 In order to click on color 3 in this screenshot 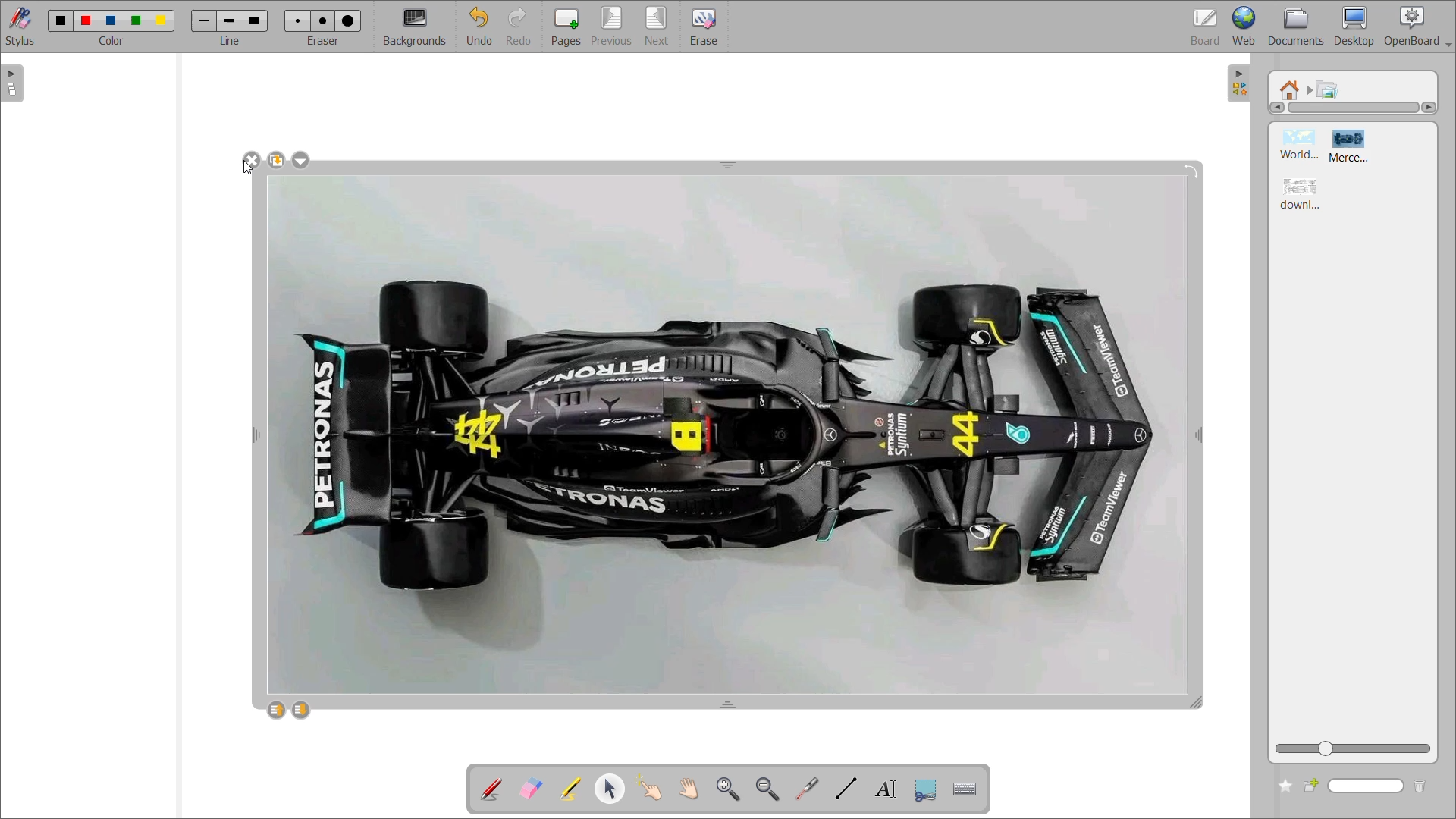, I will do `click(113, 22)`.